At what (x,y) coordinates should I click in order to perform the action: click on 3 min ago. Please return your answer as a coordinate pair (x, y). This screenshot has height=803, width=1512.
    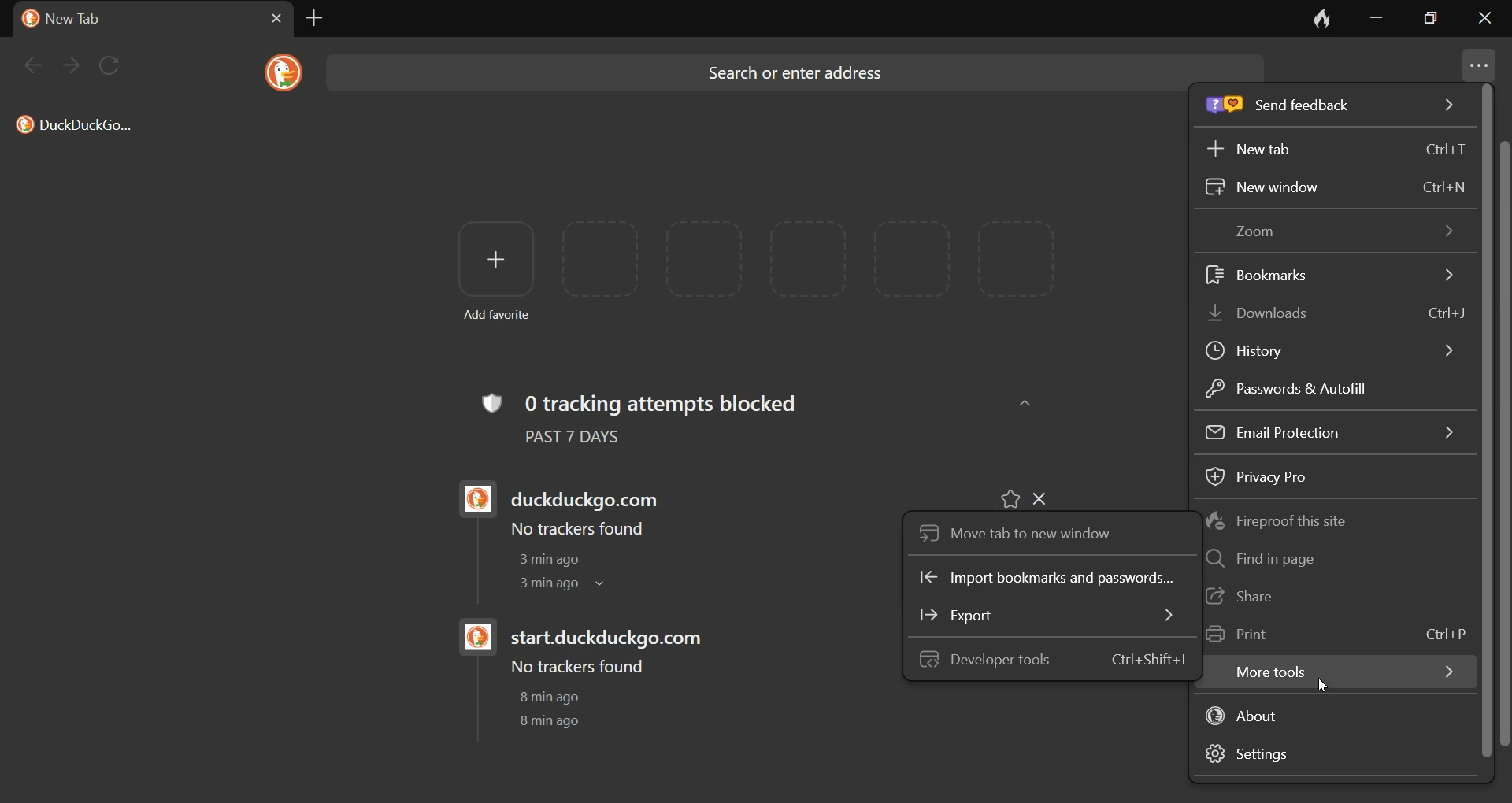
    Looking at the image, I should click on (544, 561).